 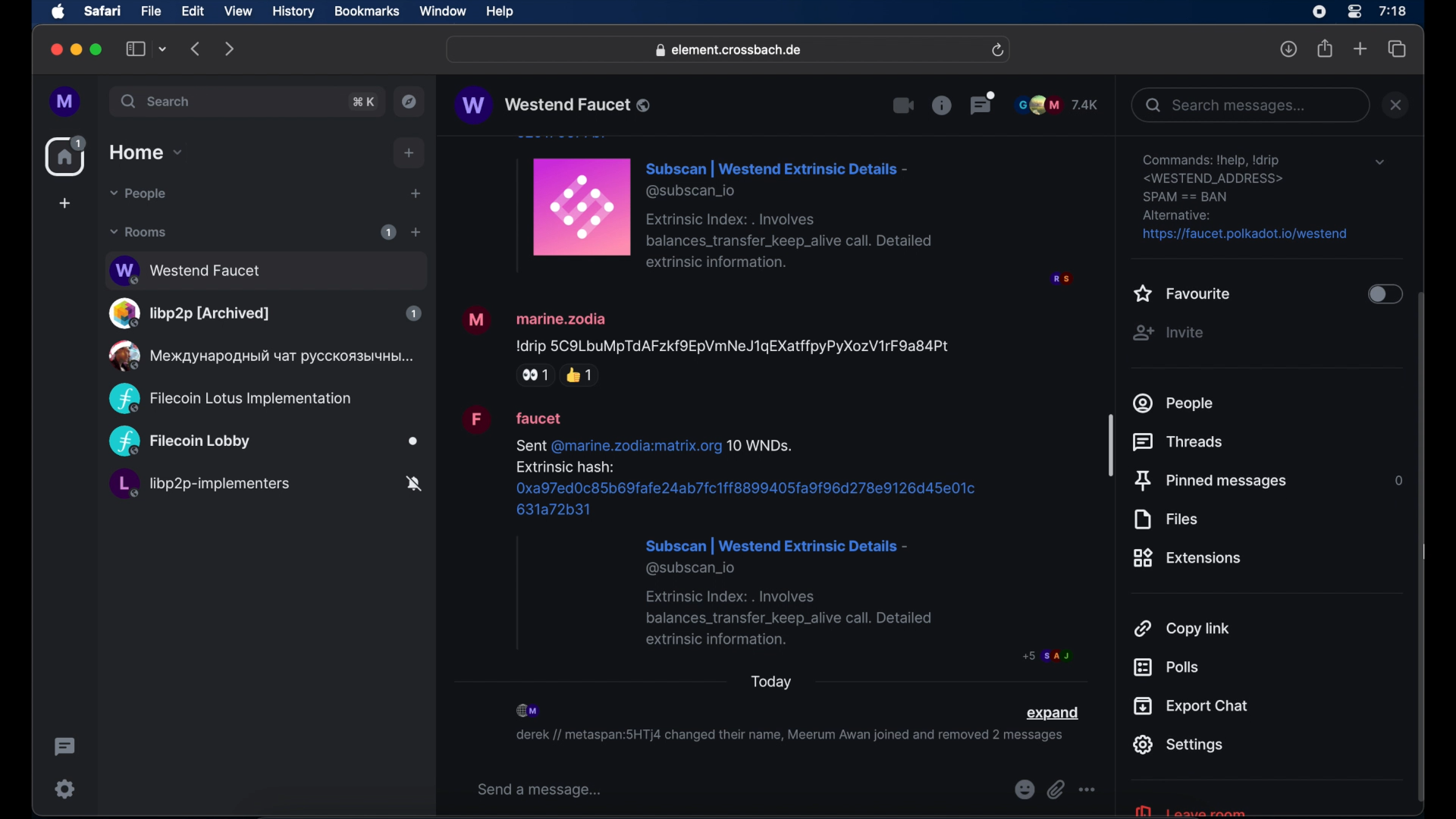 What do you see at coordinates (1181, 442) in the screenshot?
I see `threads` at bounding box center [1181, 442].